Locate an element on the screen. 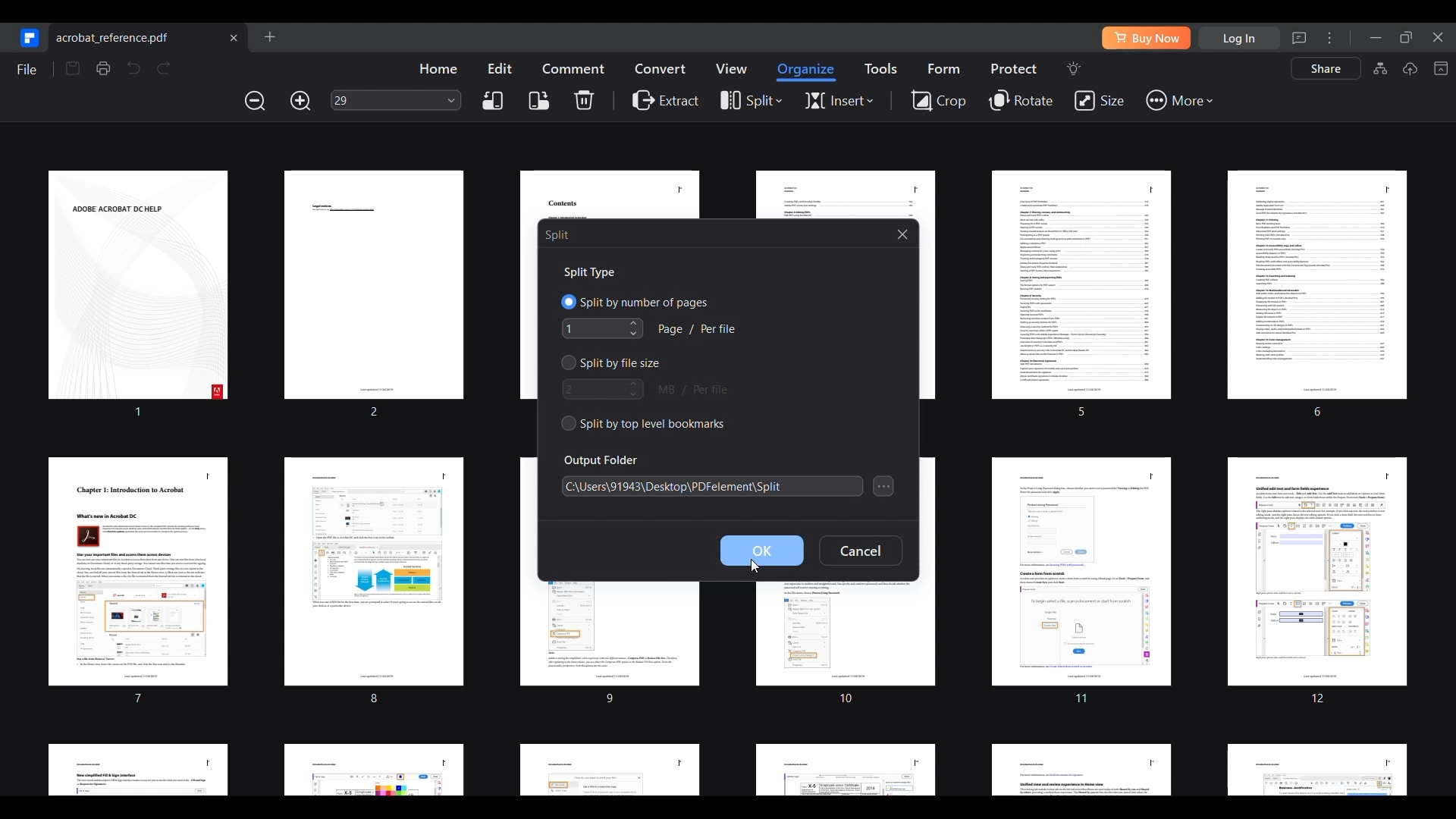 The width and height of the screenshot is (1456, 819). Form is located at coordinates (943, 68).